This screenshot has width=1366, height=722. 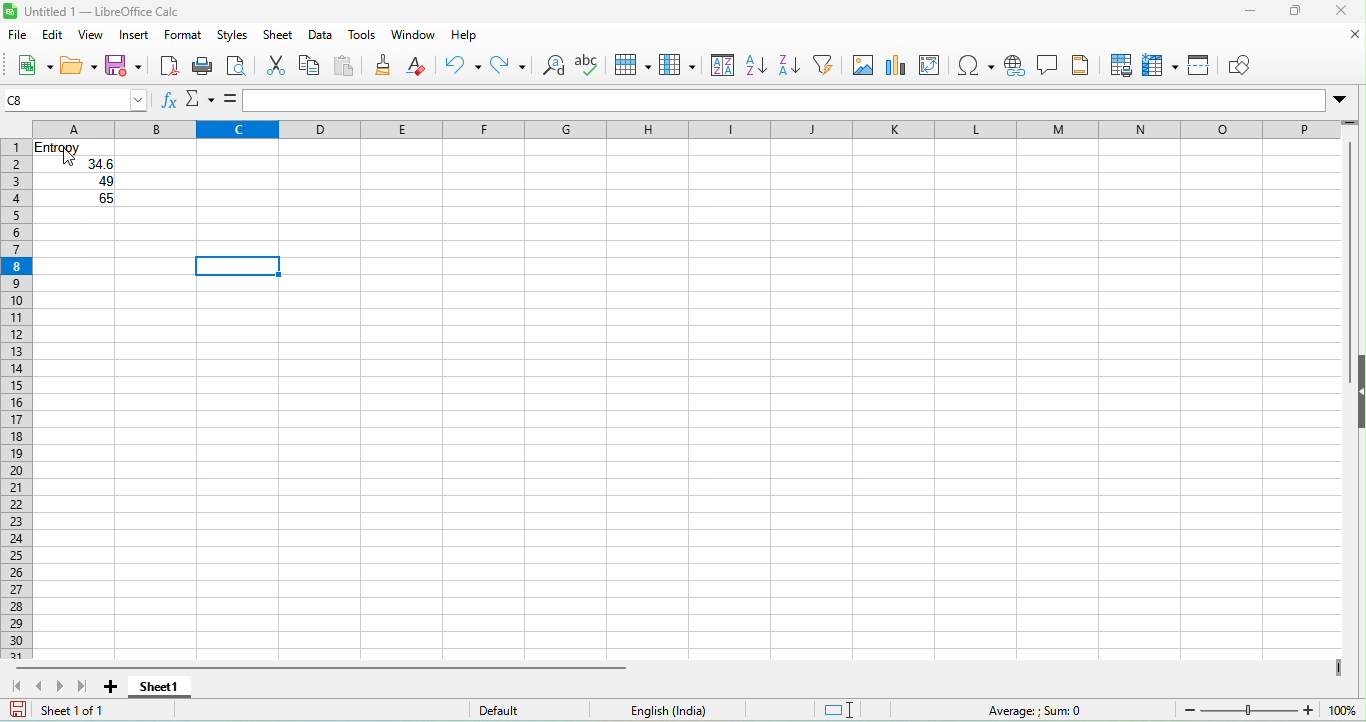 I want to click on default, so click(x=534, y=710).